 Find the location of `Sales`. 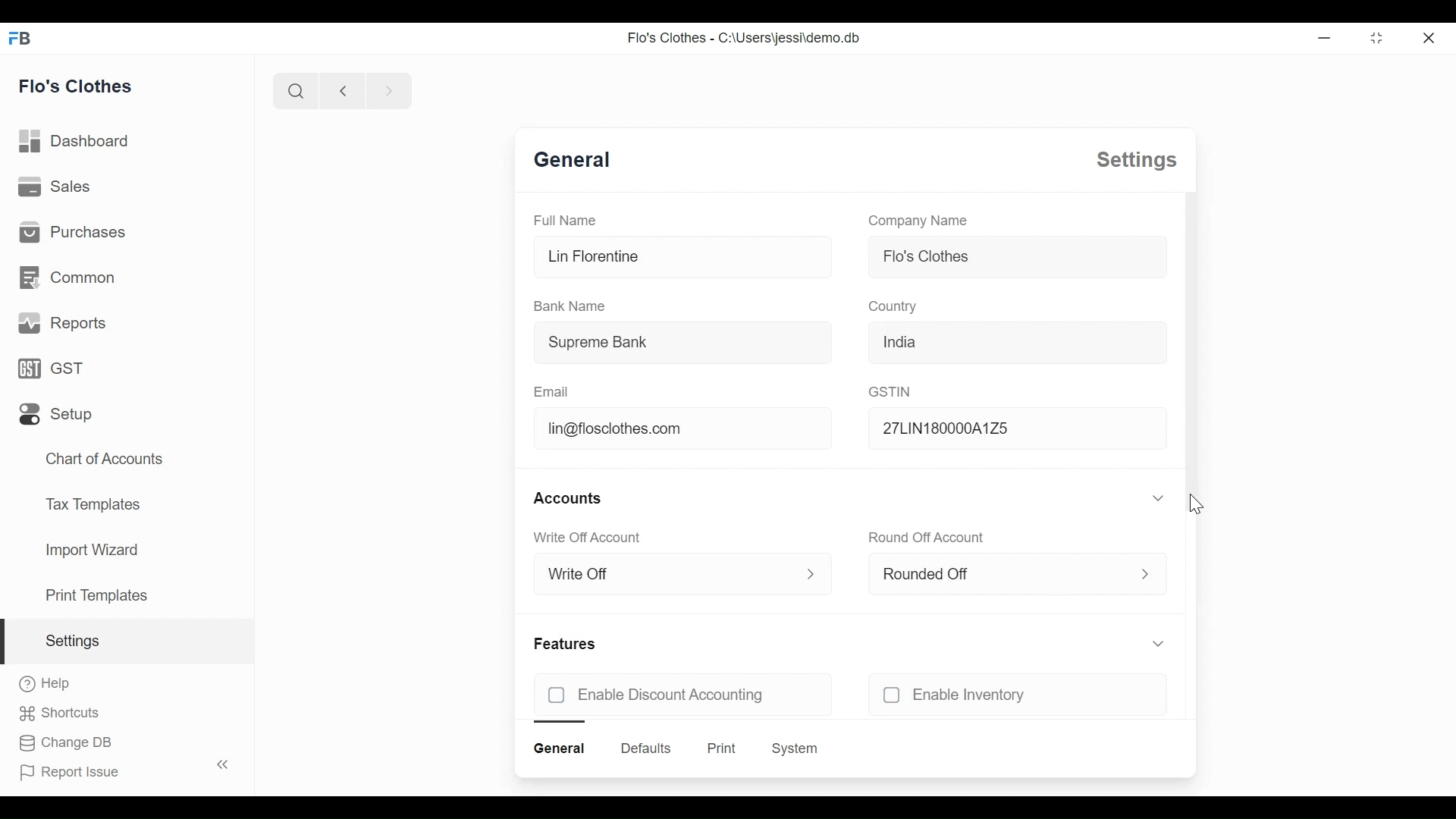

Sales is located at coordinates (55, 187).